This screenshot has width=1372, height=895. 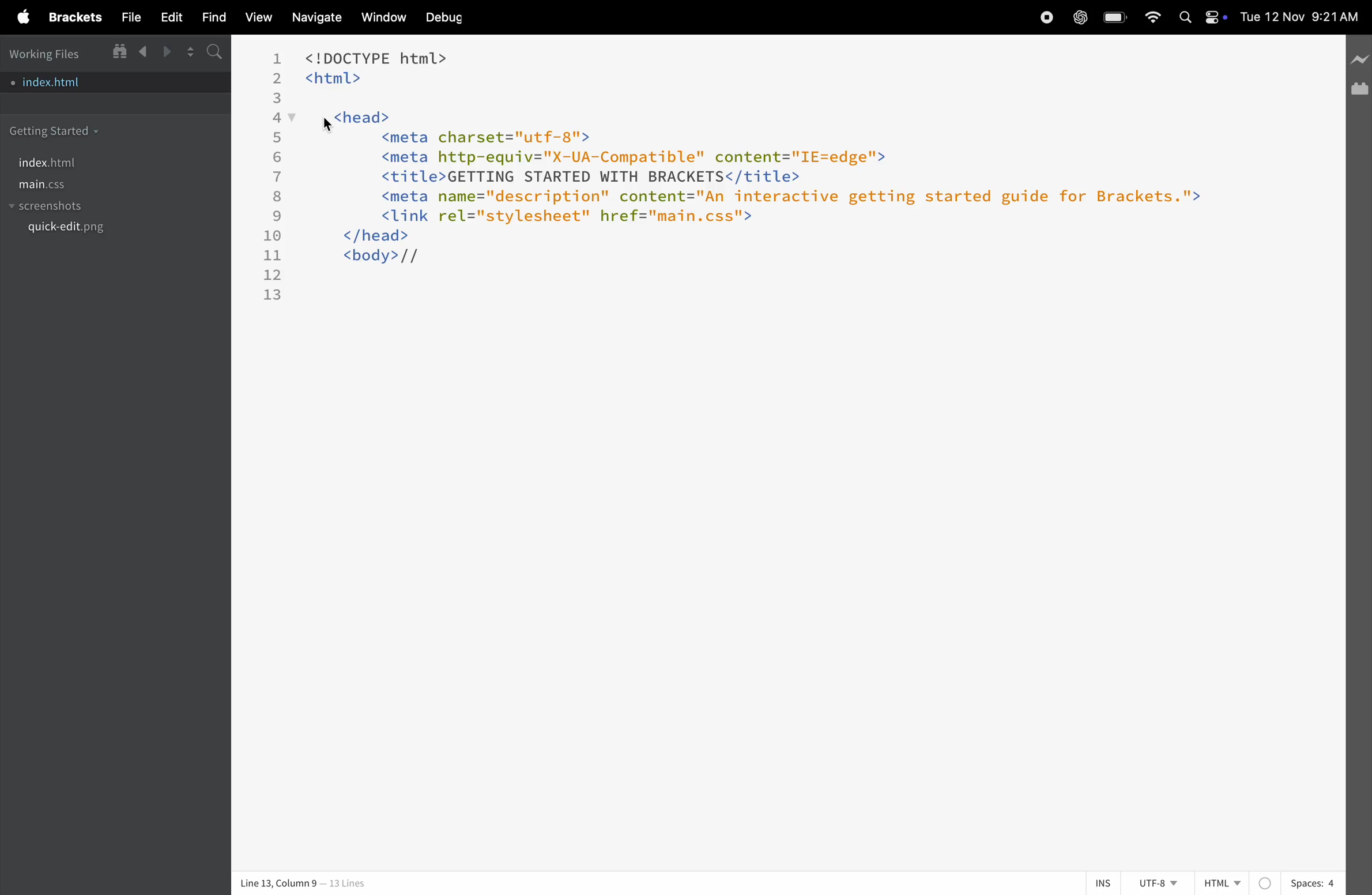 What do you see at coordinates (314, 19) in the screenshot?
I see `navigate` at bounding box center [314, 19].